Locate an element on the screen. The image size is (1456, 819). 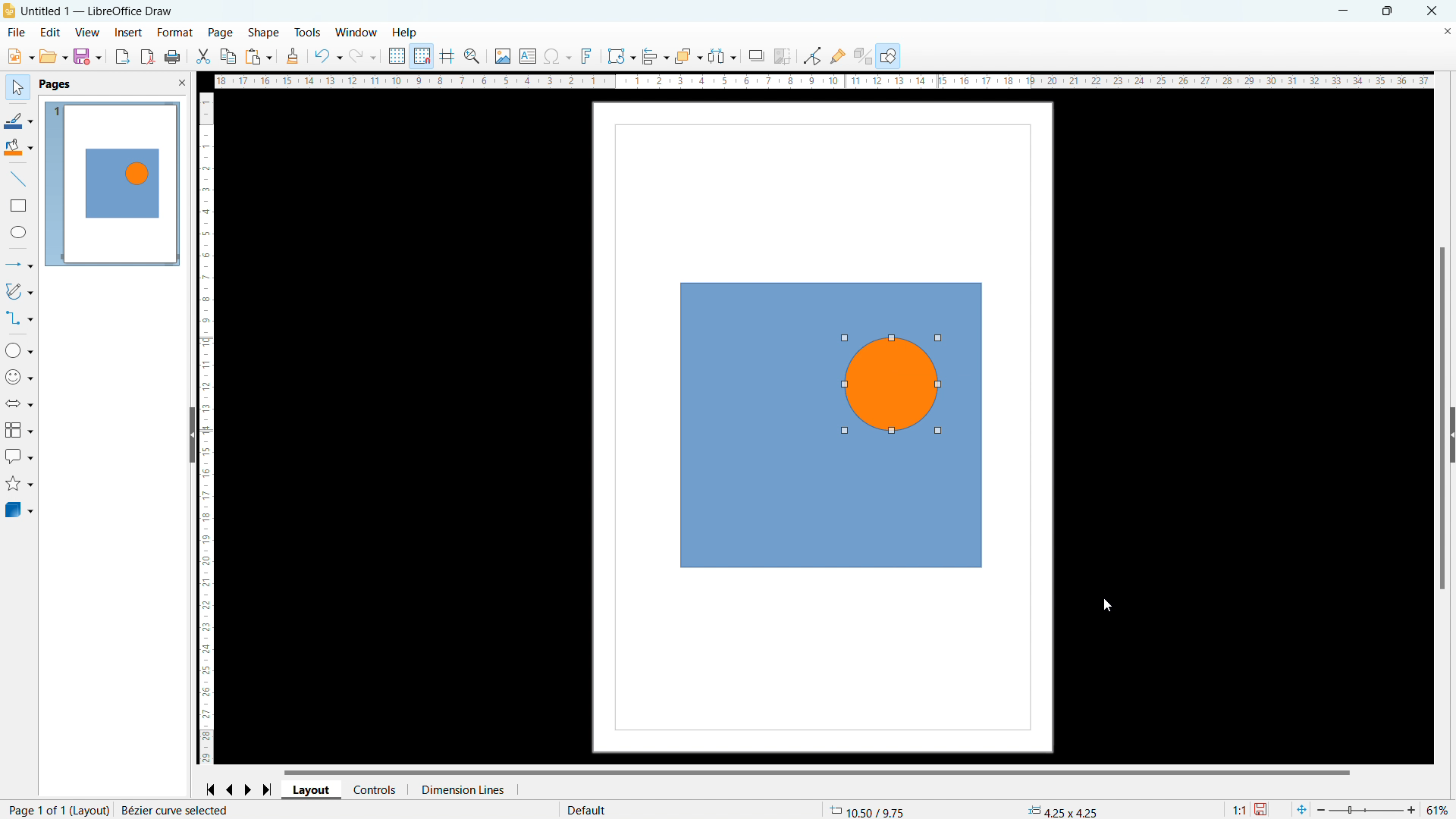
callout shapes is located at coordinates (19, 455).